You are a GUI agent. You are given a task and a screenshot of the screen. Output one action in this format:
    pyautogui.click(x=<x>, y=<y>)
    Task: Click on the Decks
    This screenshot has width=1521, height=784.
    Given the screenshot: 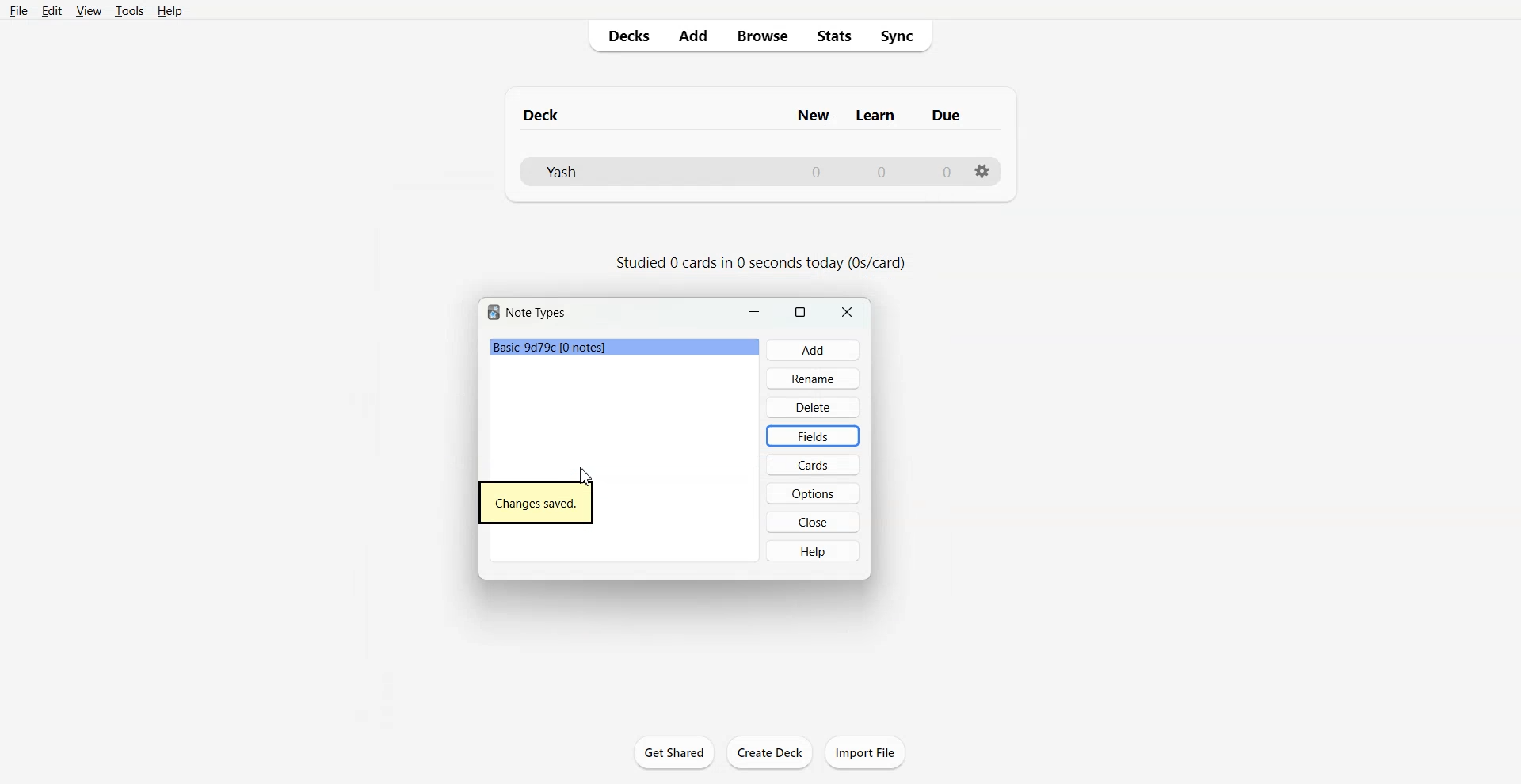 What is the action you would take?
    pyautogui.click(x=623, y=36)
    